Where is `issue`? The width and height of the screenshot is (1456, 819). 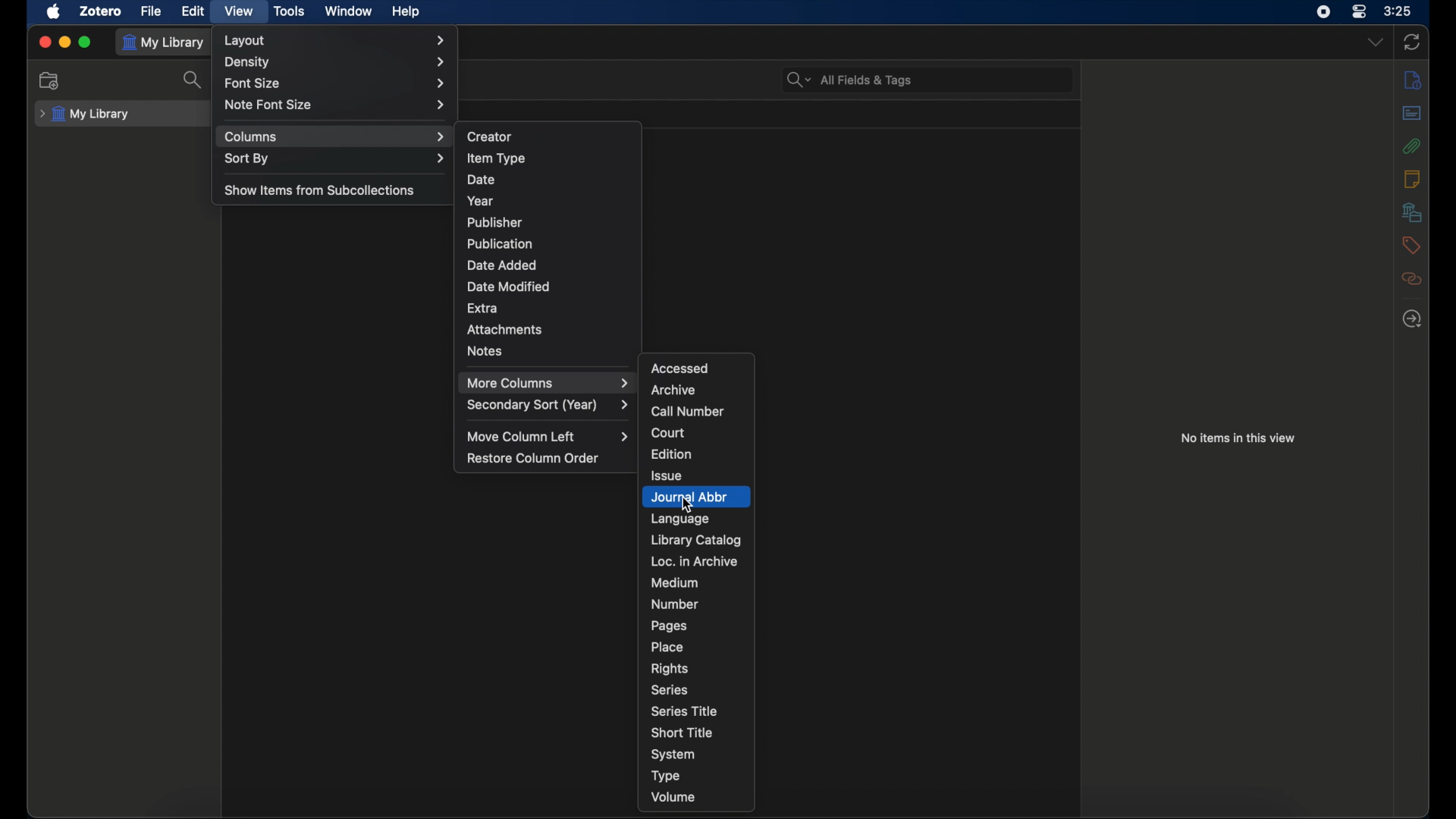
issue is located at coordinates (668, 476).